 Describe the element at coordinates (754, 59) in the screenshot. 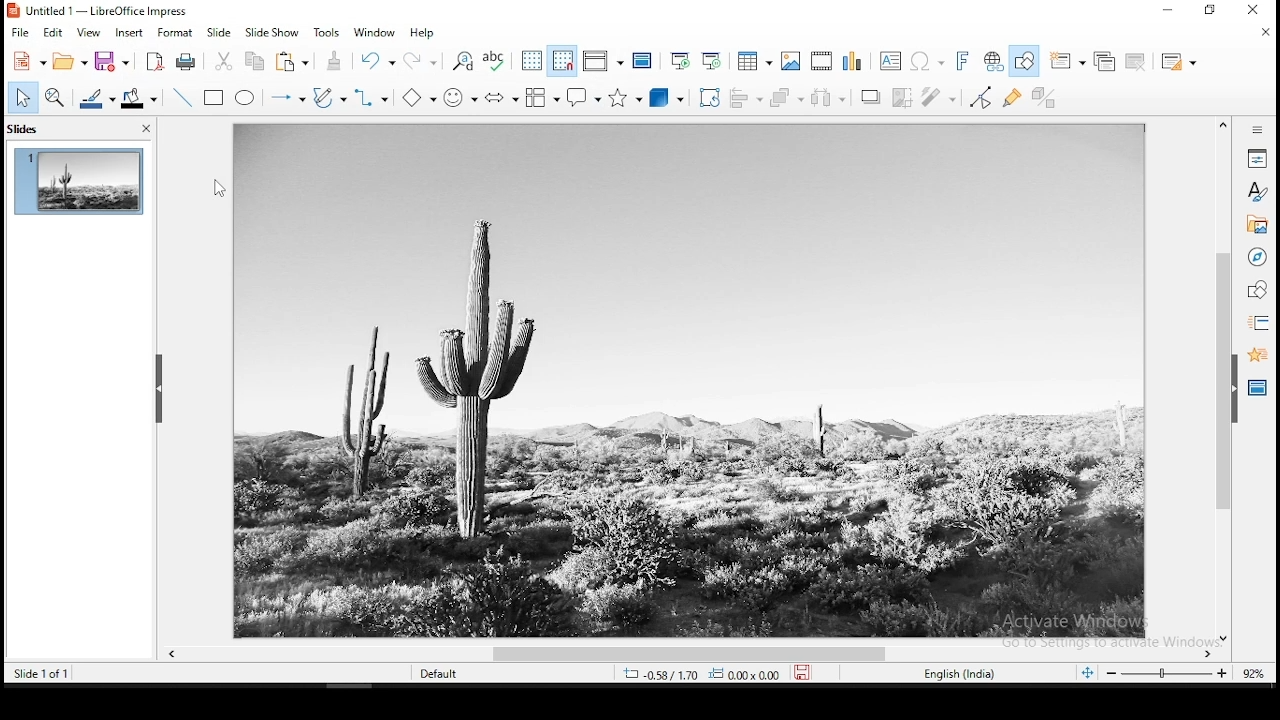

I see `tables` at that location.